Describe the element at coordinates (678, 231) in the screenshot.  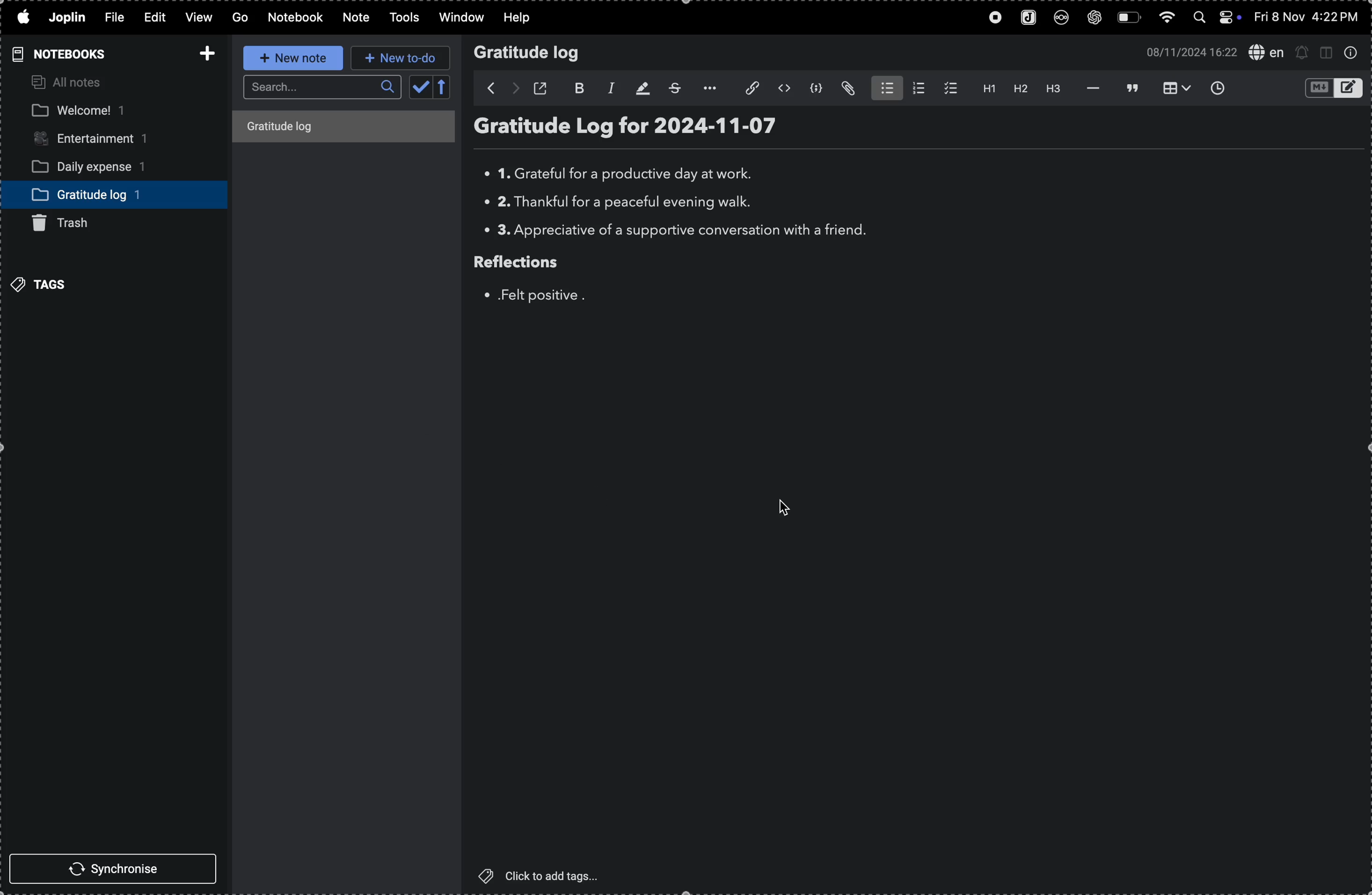
I see `Appreciate a supportive conversion` at that location.